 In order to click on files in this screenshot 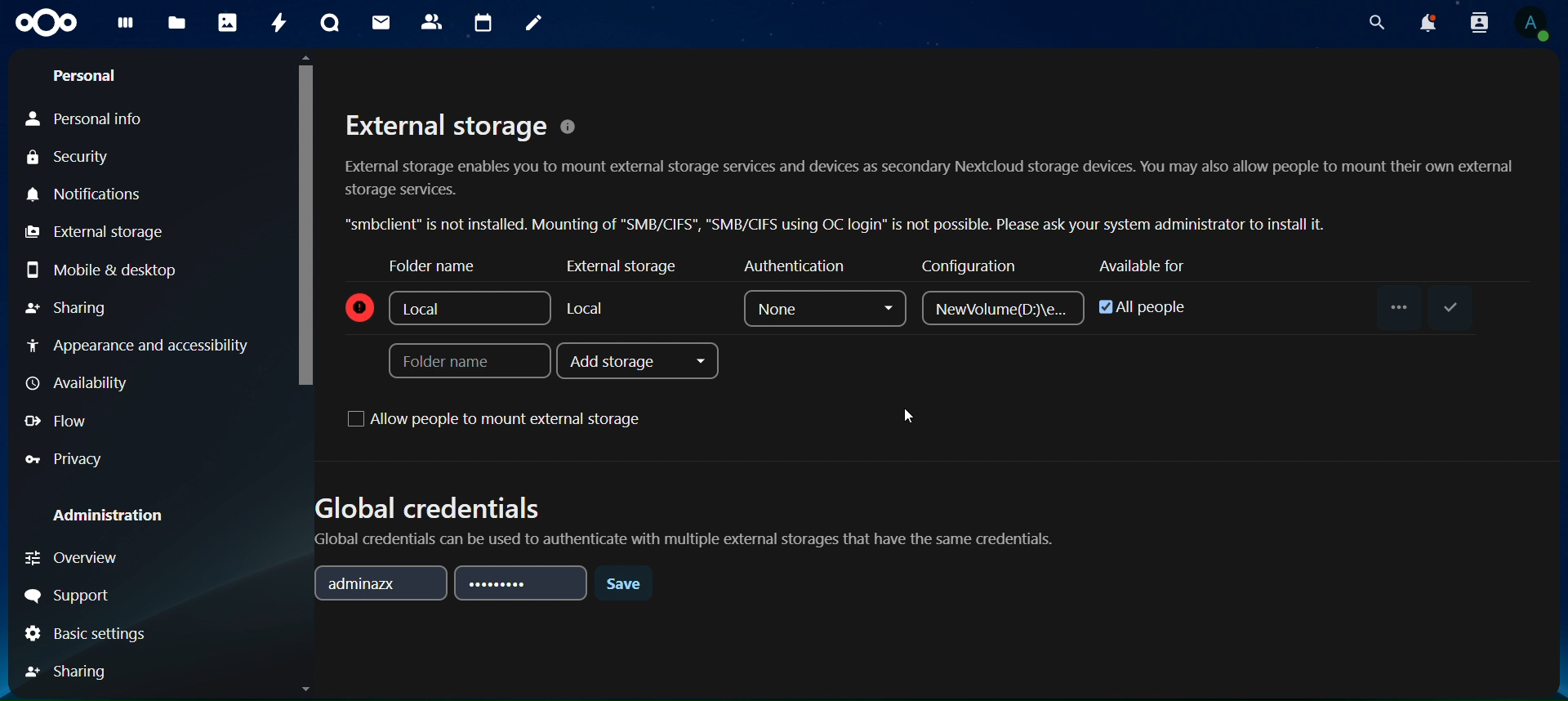, I will do `click(176, 25)`.